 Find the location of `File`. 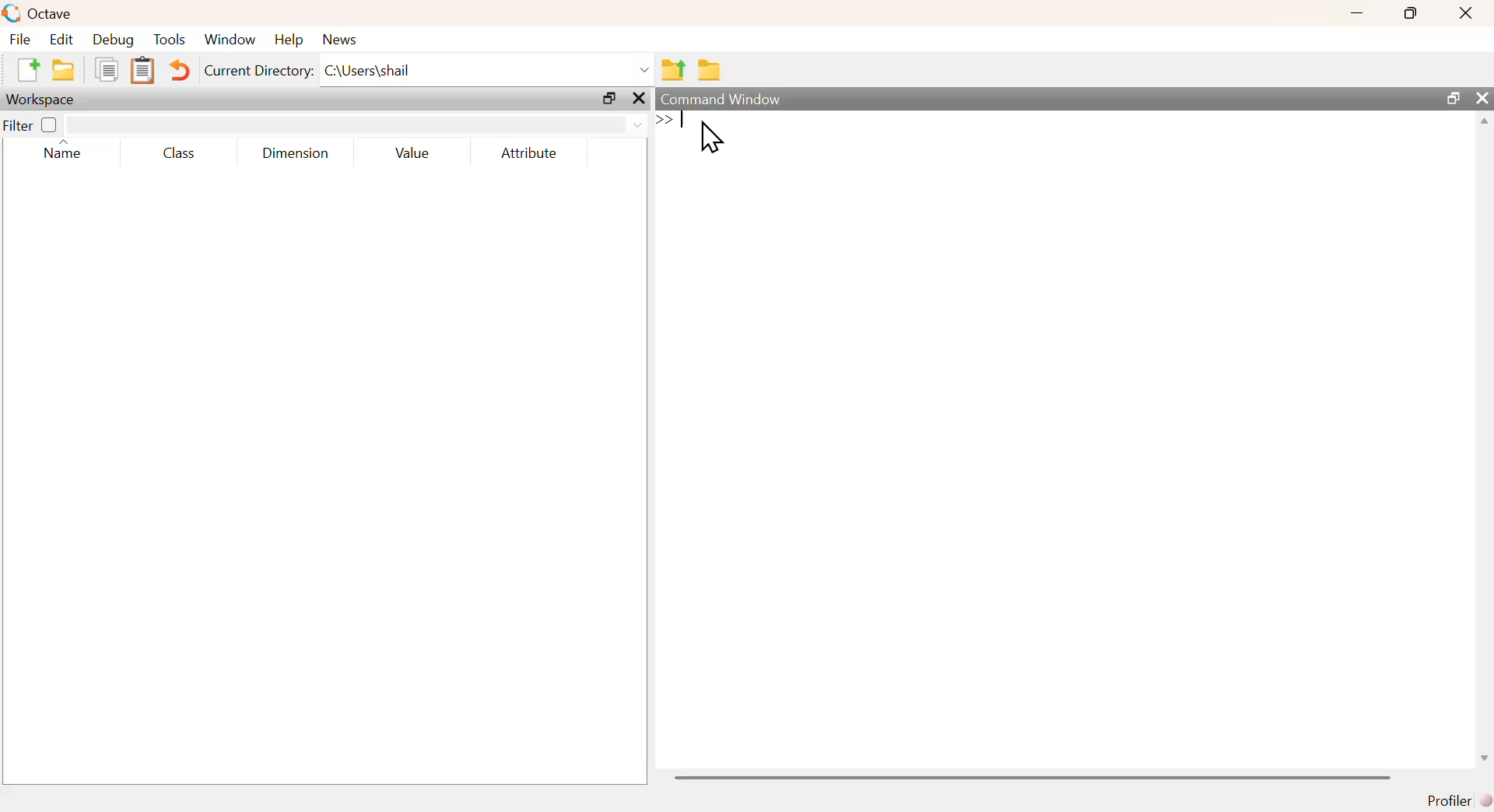

File is located at coordinates (22, 40).